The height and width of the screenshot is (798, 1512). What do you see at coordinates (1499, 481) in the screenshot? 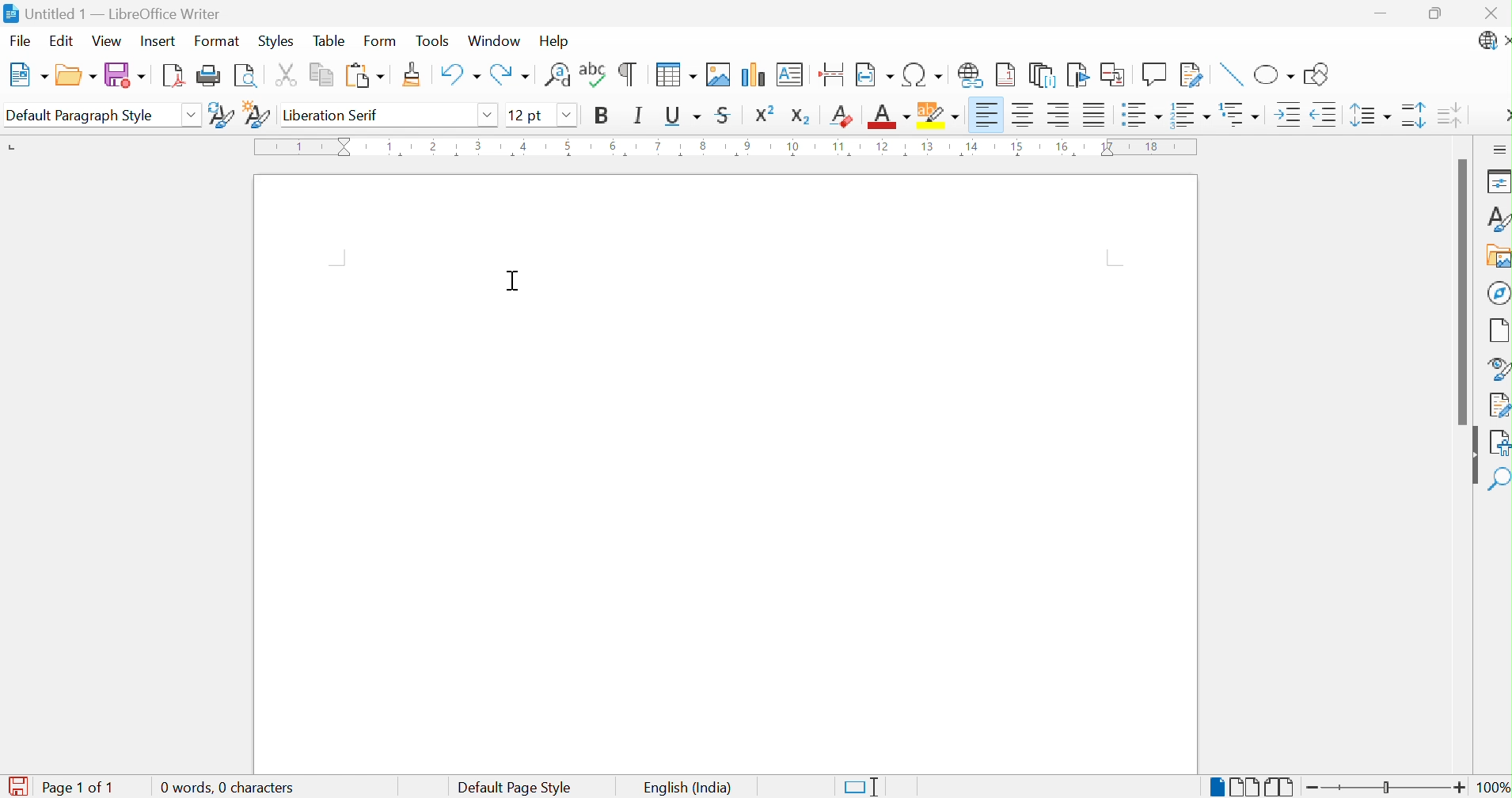
I see `Find` at bounding box center [1499, 481].